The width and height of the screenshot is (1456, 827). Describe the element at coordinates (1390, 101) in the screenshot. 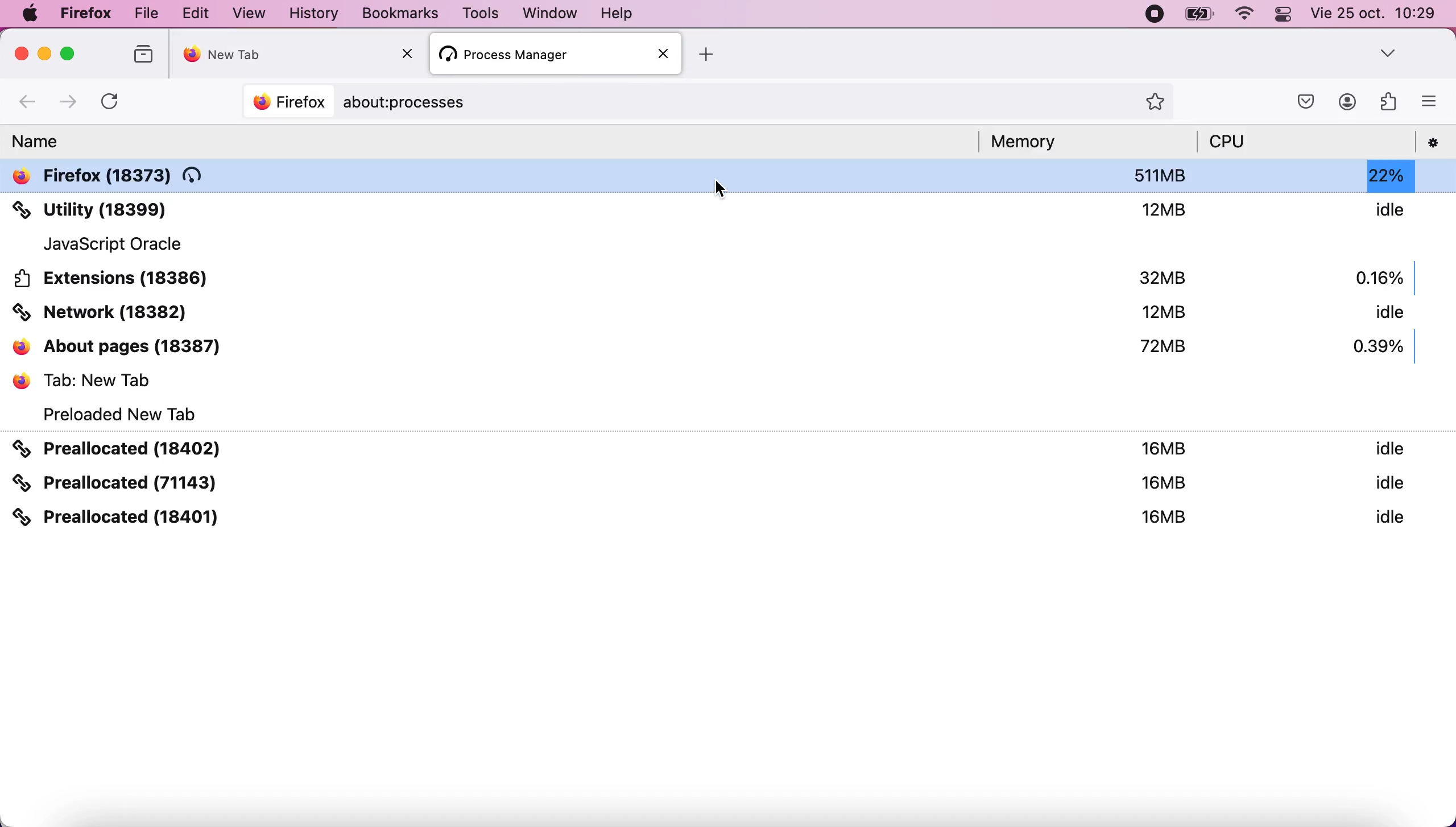

I see `Widget` at that location.